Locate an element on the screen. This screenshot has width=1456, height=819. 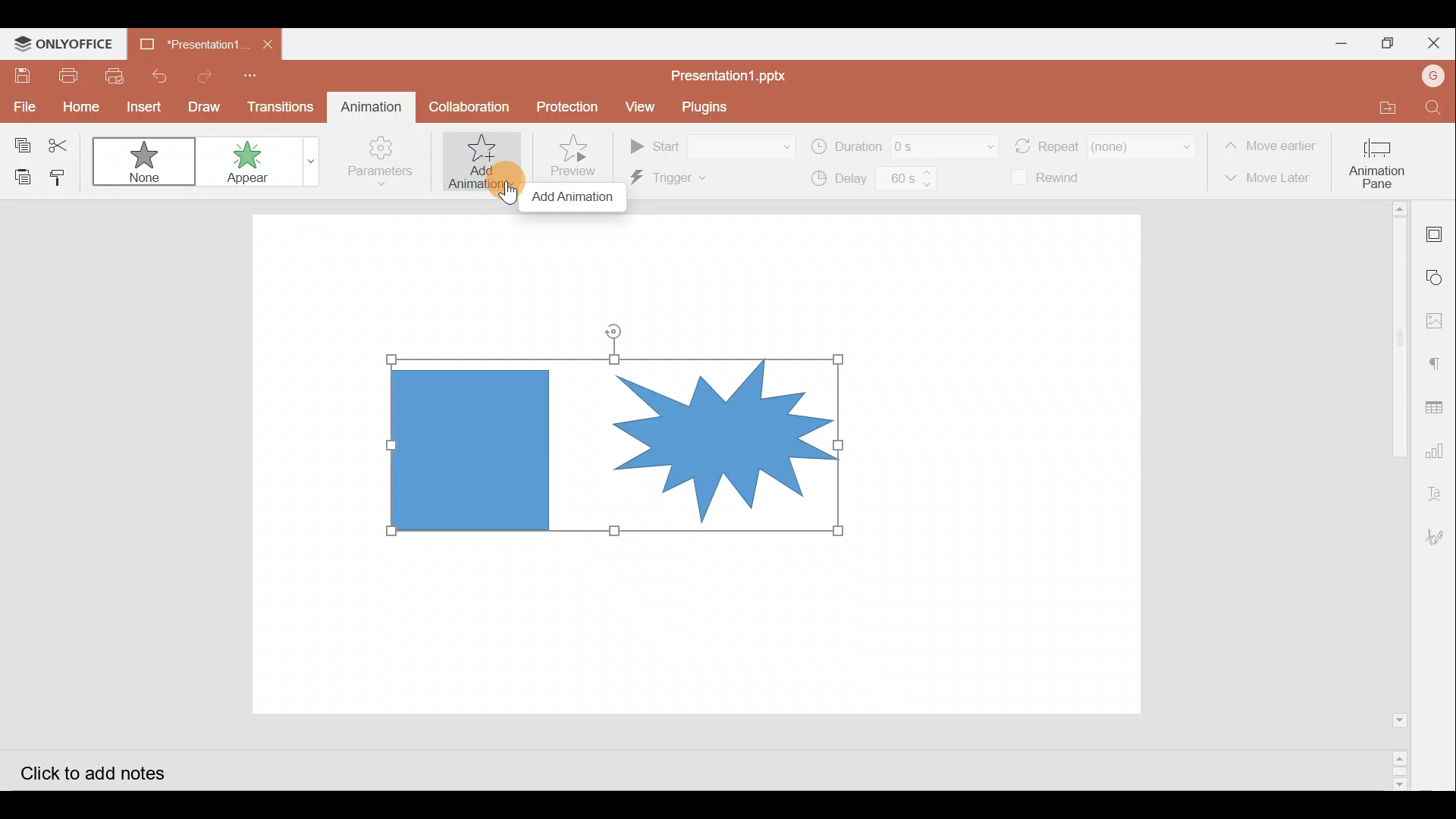
More is located at coordinates (306, 162).